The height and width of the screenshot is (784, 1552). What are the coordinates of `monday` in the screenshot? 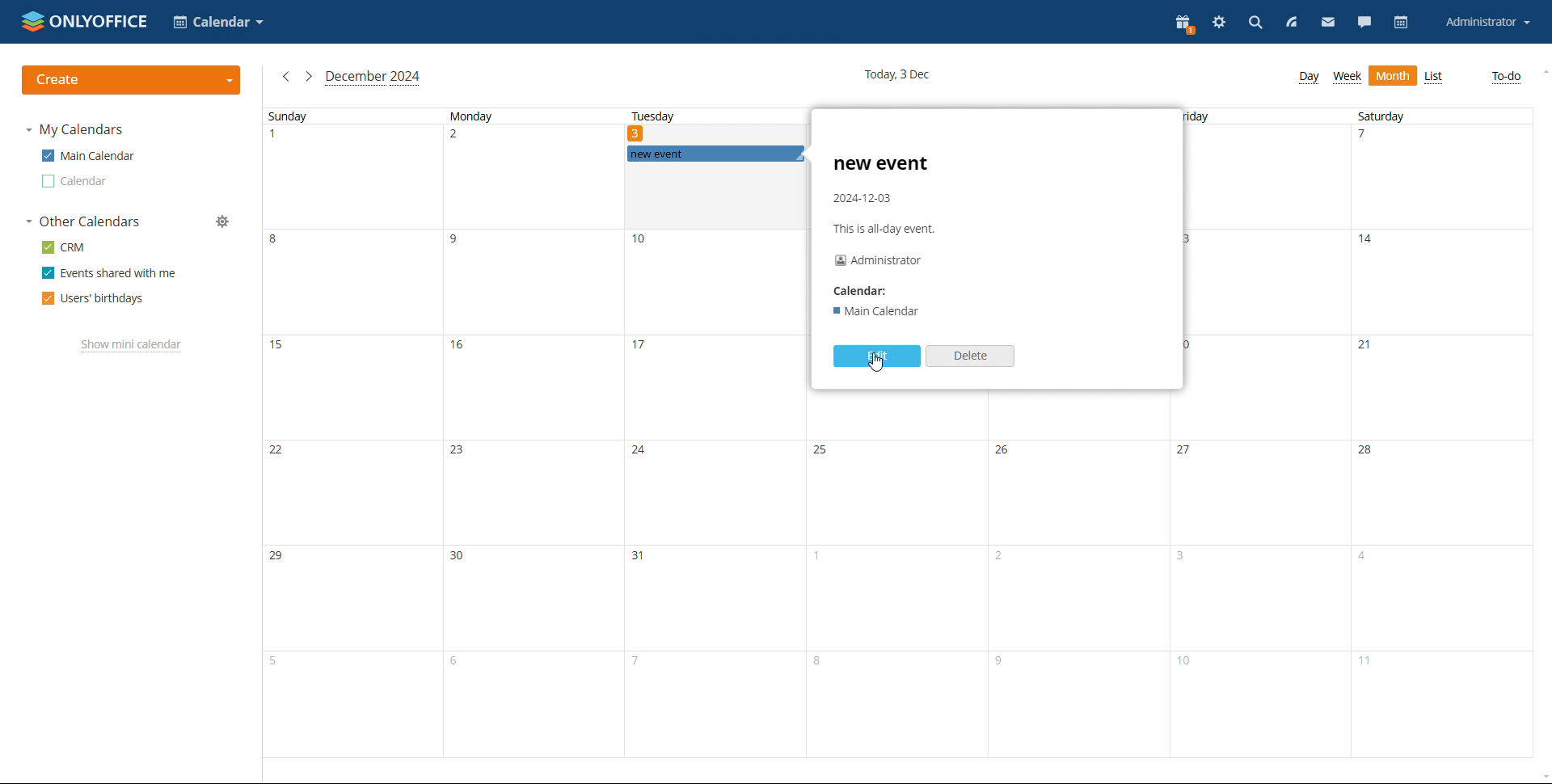 It's located at (529, 433).